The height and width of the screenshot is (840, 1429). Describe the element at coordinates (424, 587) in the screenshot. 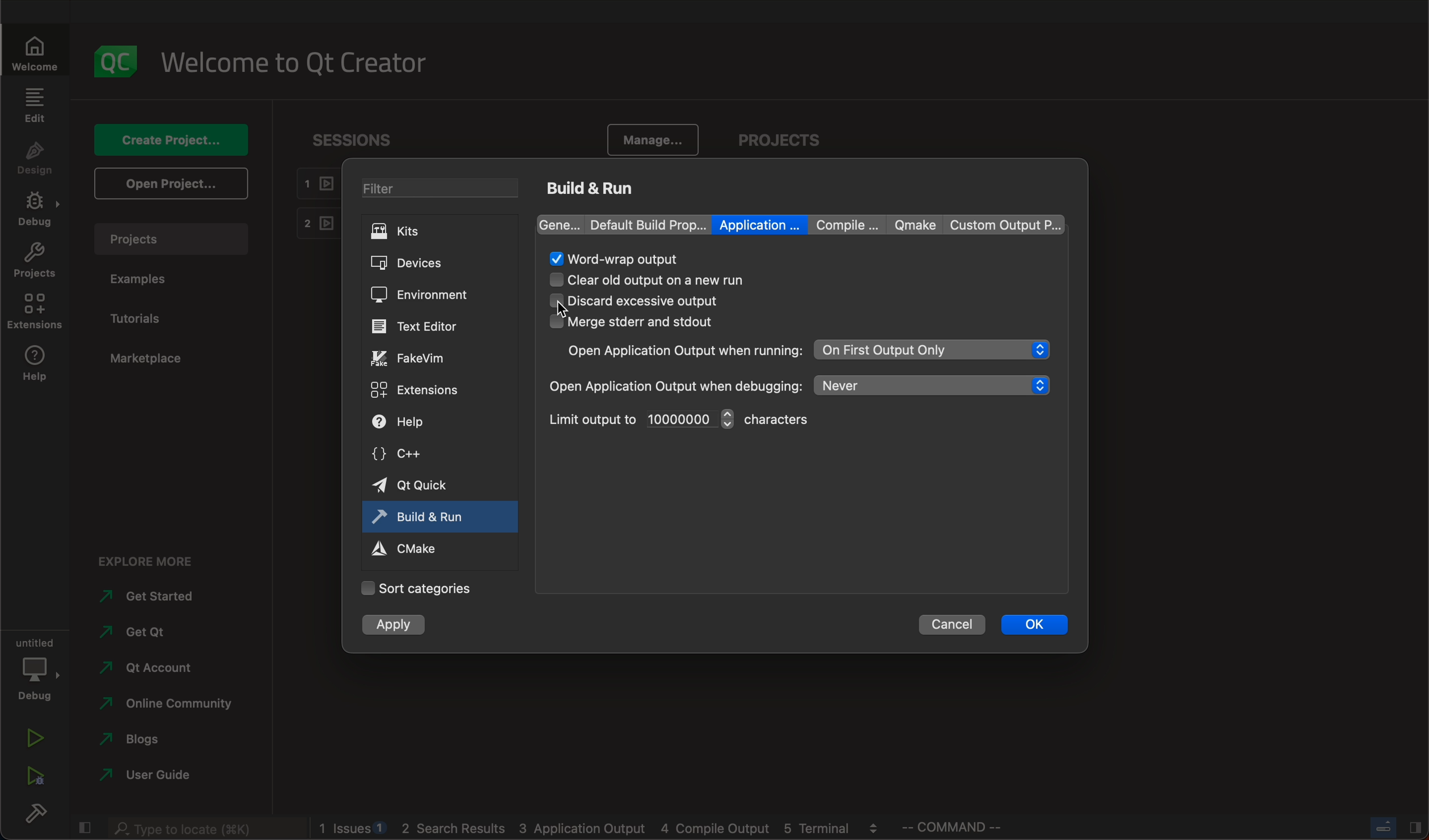

I see `Categories` at that location.